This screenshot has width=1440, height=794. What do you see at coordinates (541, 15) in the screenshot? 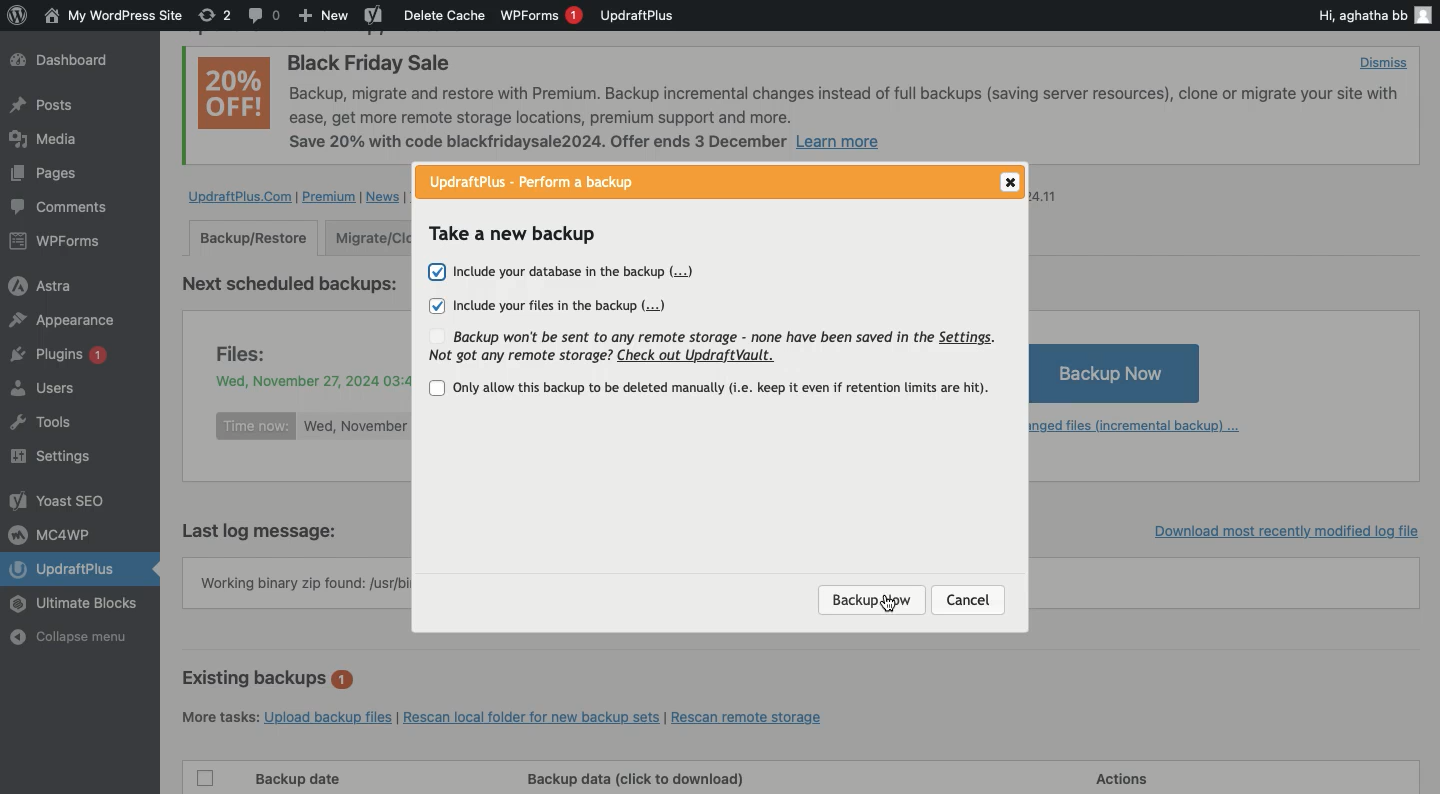
I see `WPForms 1` at bounding box center [541, 15].